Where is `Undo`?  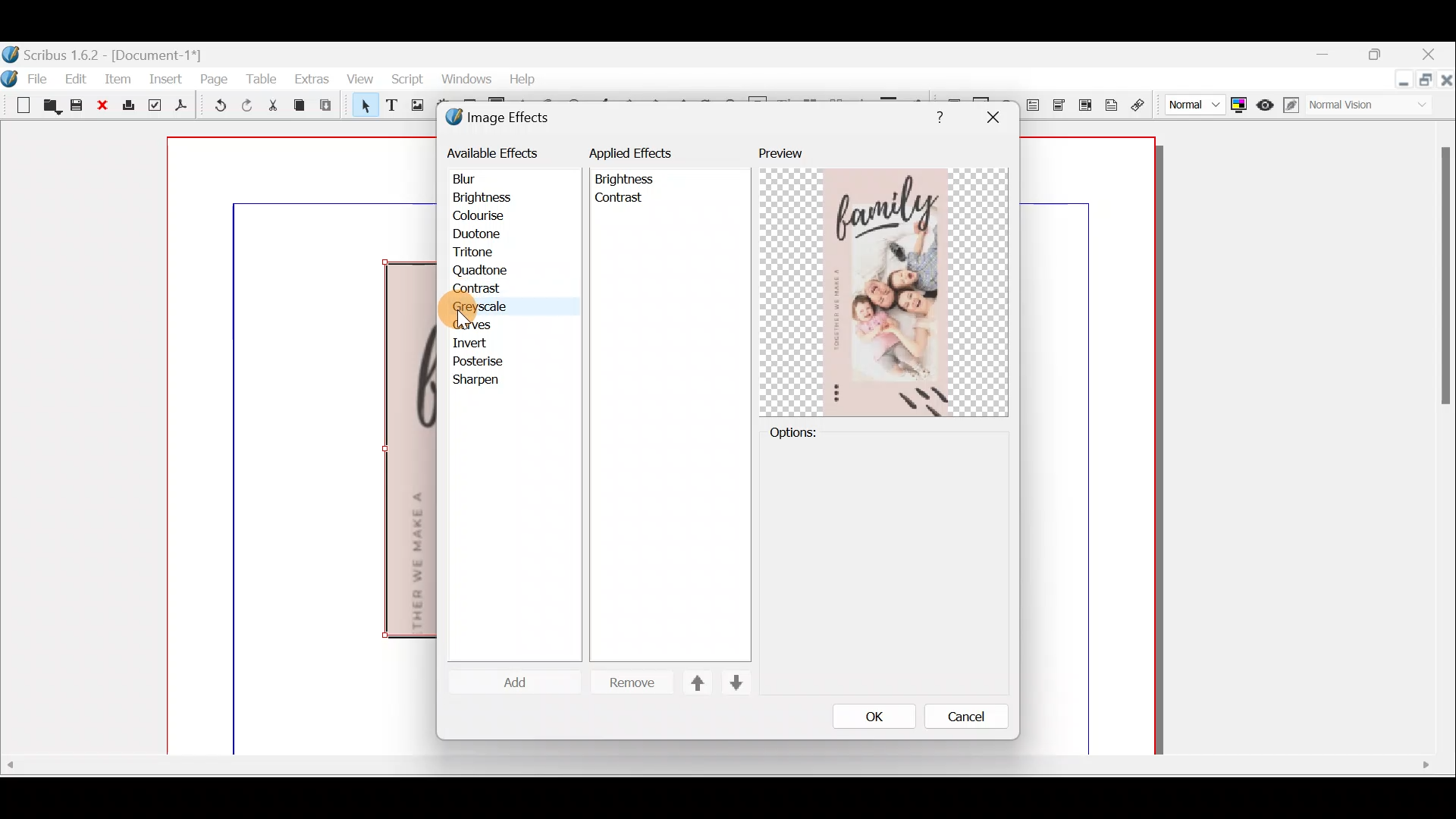
Undo is located at coordinates (213, 106).